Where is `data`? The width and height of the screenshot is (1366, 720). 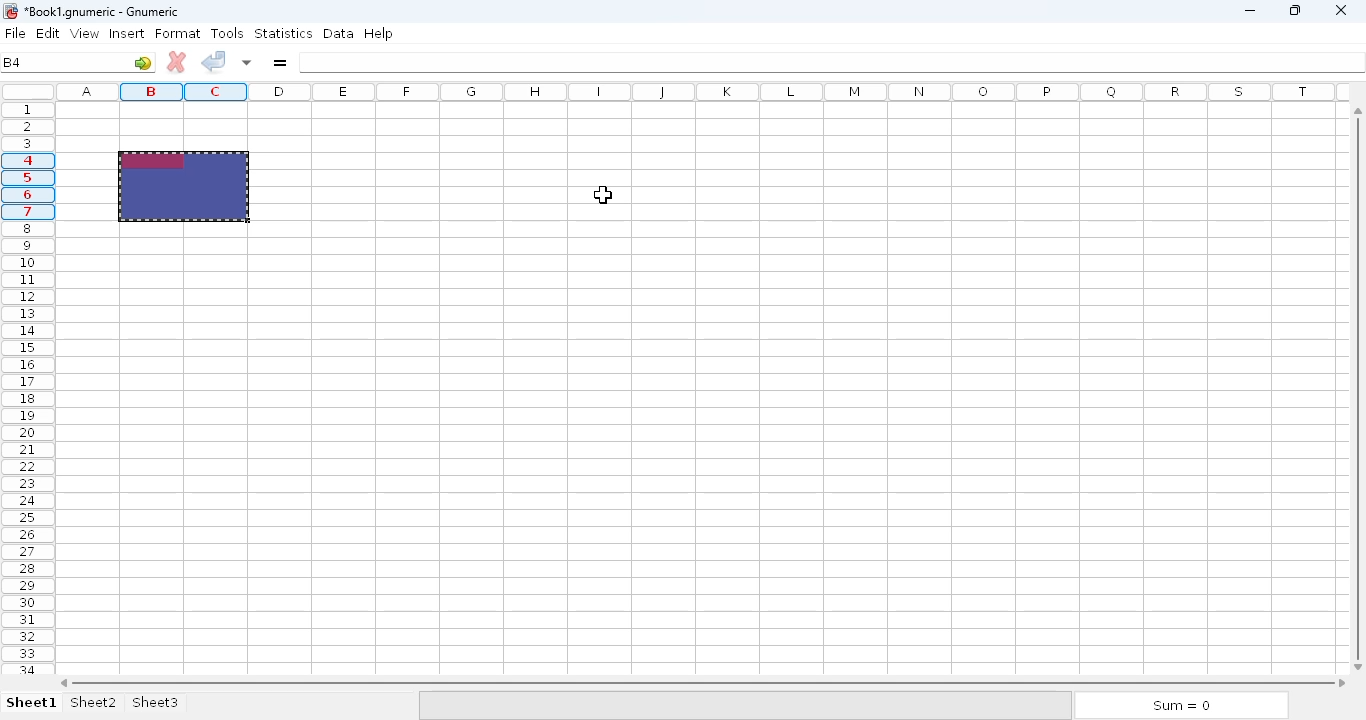
data is located at coordinates (338, 33).